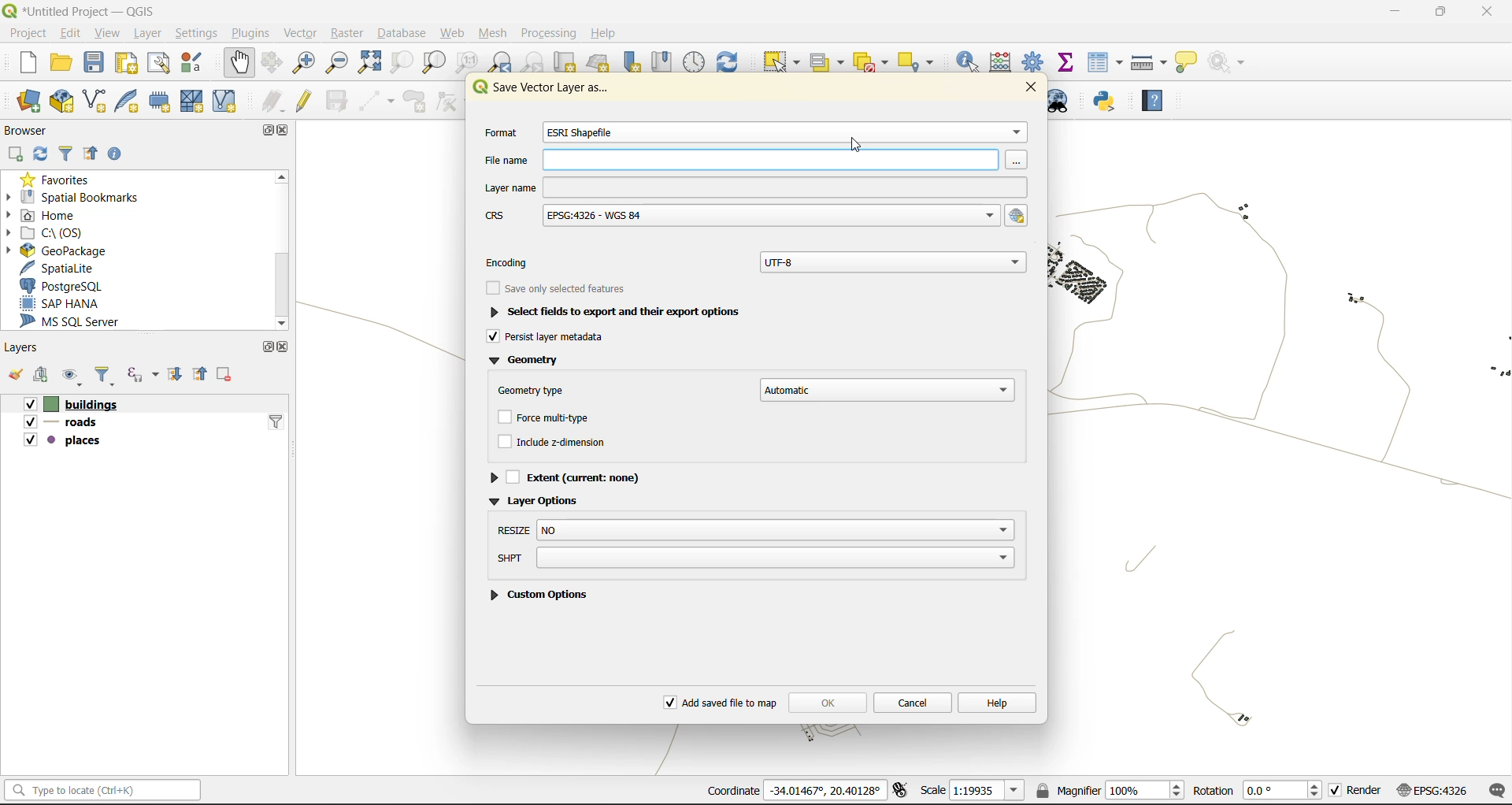  Describe the element at coordinates (398, 62) in the screenshot. I see `zoom selection` at that location.